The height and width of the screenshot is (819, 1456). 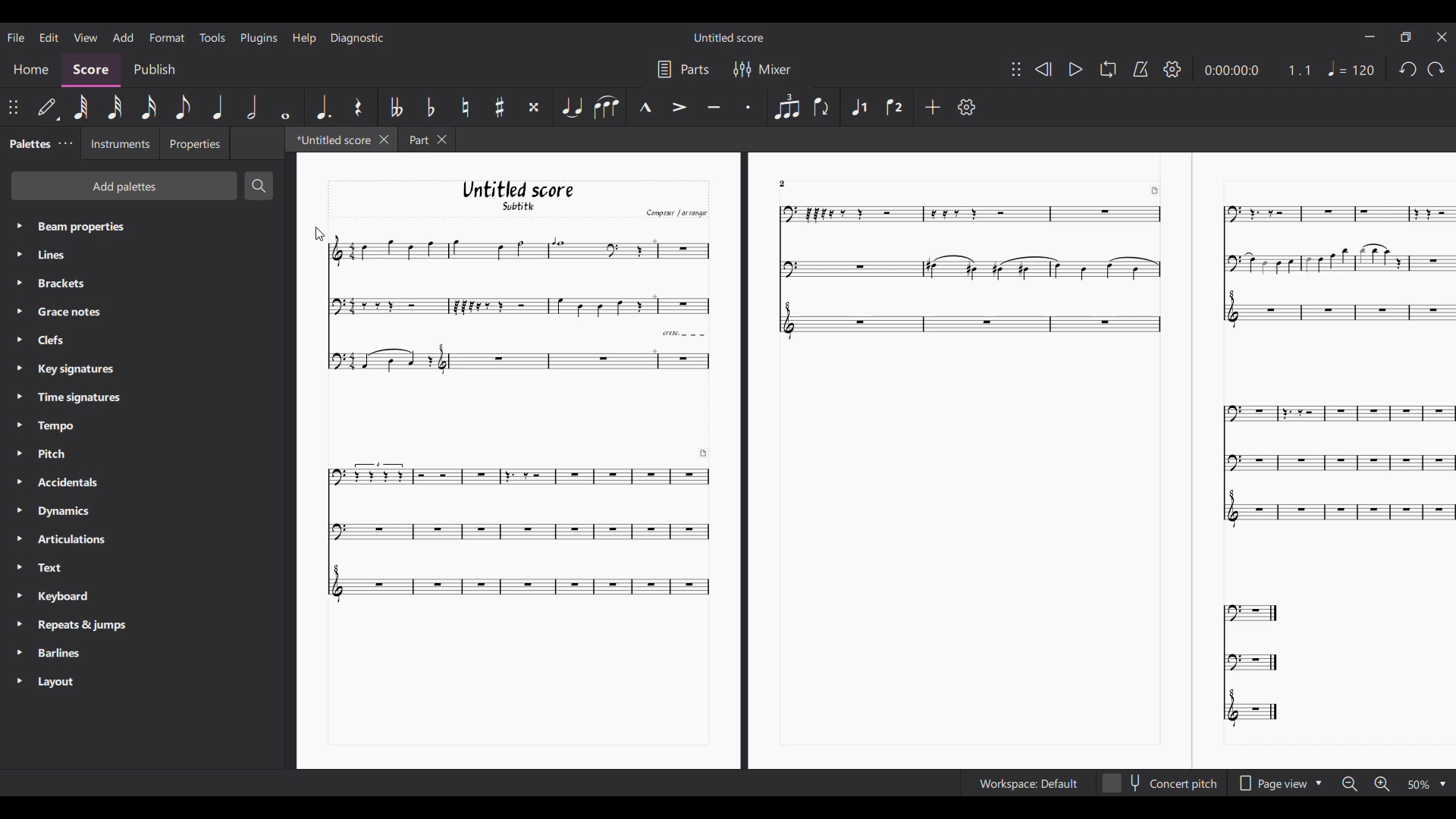 I want to click on Half note, so click(x=253, y=107).